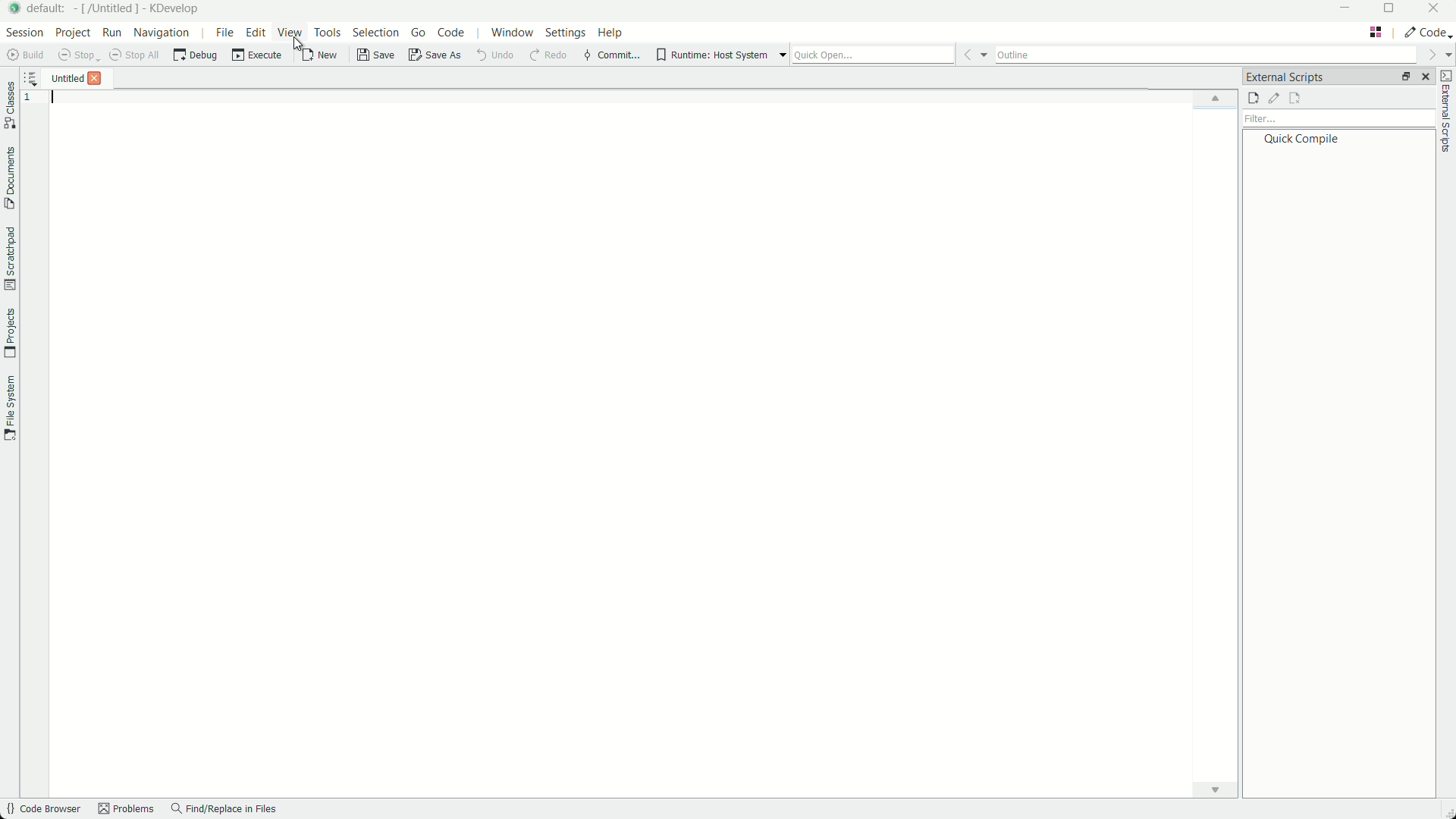 The height and width of the screenshot is (819, 1456). What do you see at coordinates (610, 34) in the screenshot?
I see `help` at bounding box center [610, 34].